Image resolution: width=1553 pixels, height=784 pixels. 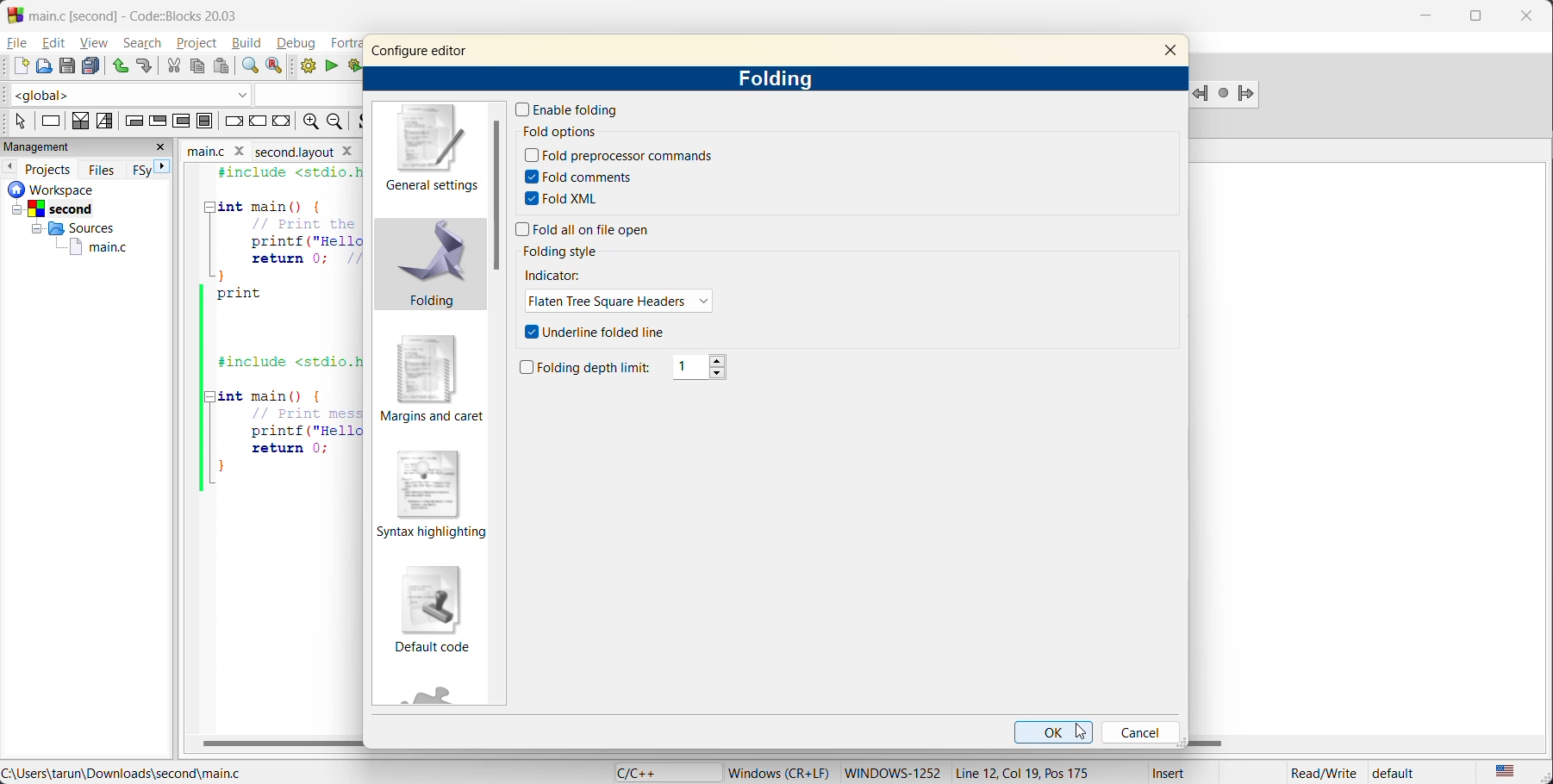 What do you see at coordinates (277, 330) in the screenshot?
I see `code editor` at bounding box center [277, 330].